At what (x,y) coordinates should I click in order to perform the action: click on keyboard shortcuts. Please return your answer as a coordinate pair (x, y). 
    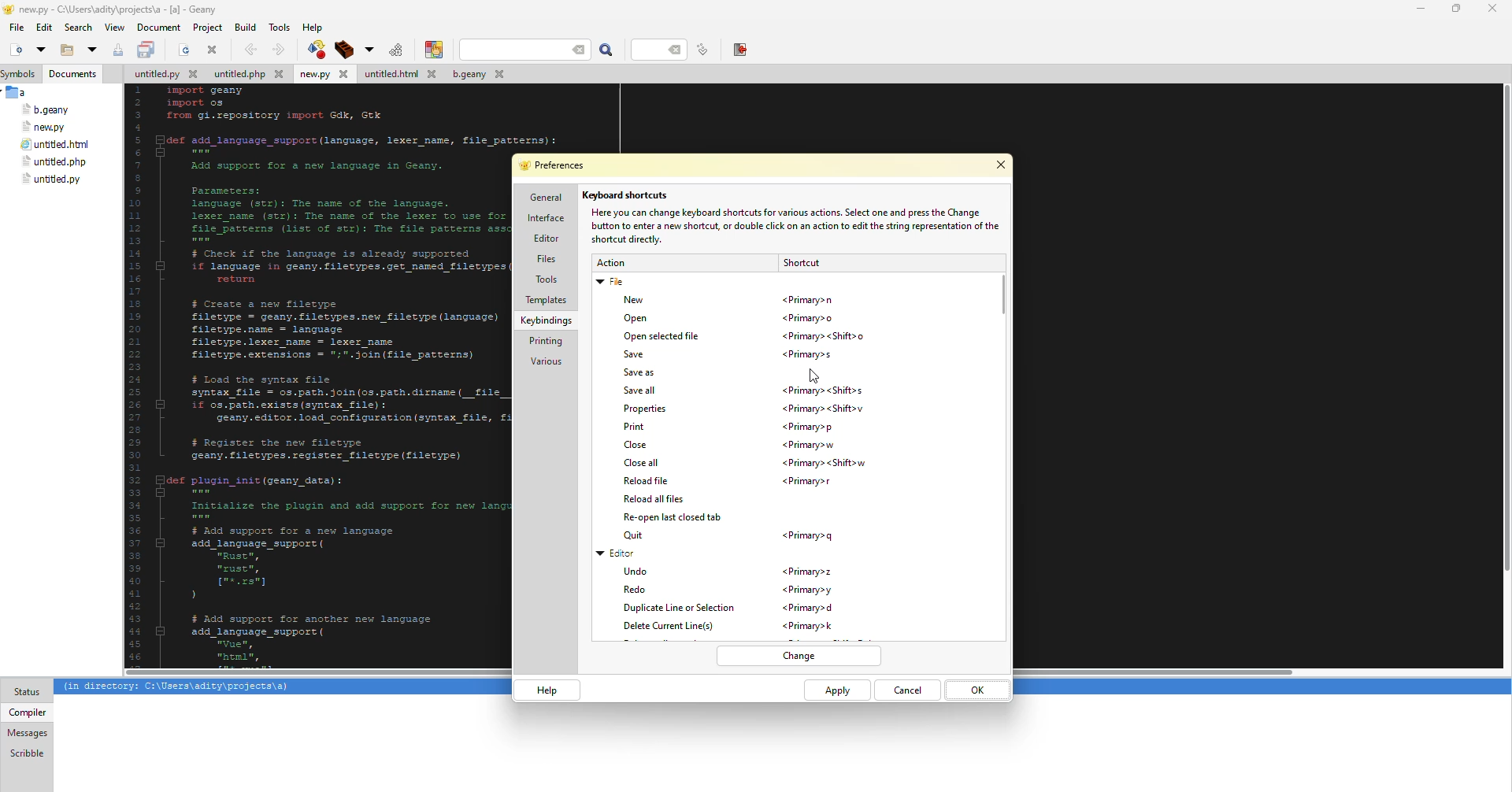
    Looking at the image, I should click on (627, 195).